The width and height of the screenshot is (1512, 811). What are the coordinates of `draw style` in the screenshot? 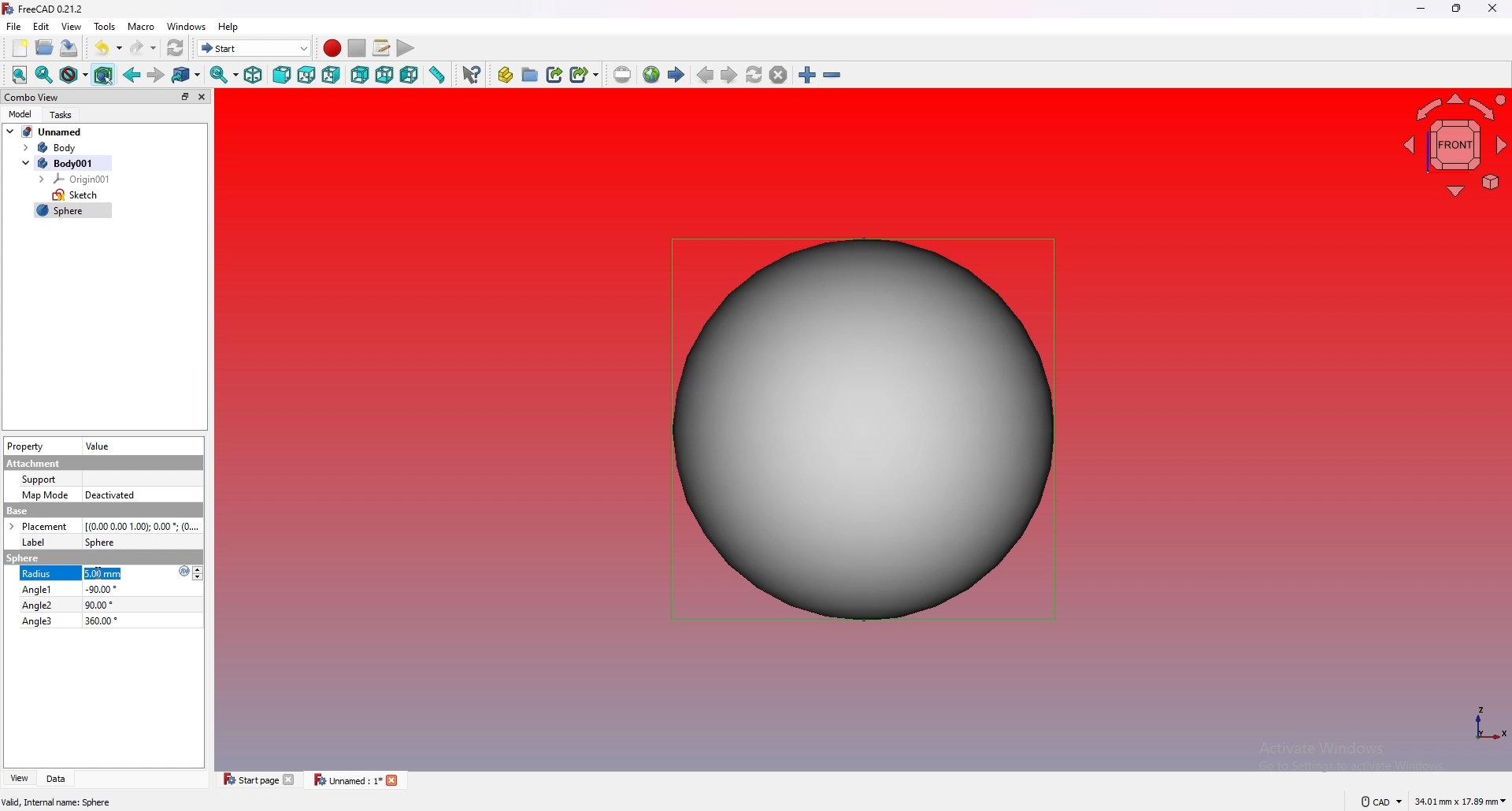 It's located at (74, 76).